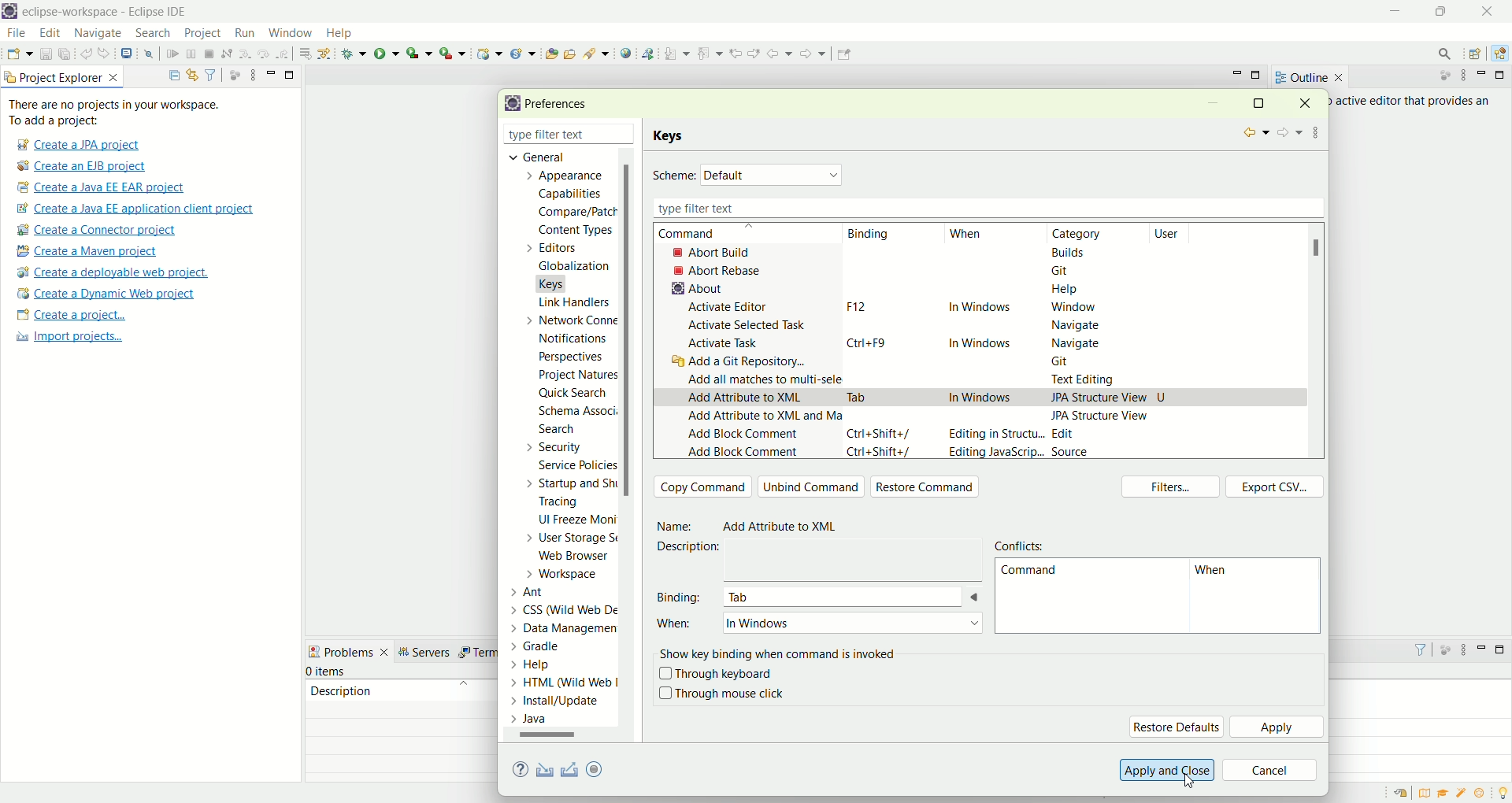  What do you see at coordinates (1069, 363) in the screenshot?
I see `Git` at bounding box center [1069, 363].